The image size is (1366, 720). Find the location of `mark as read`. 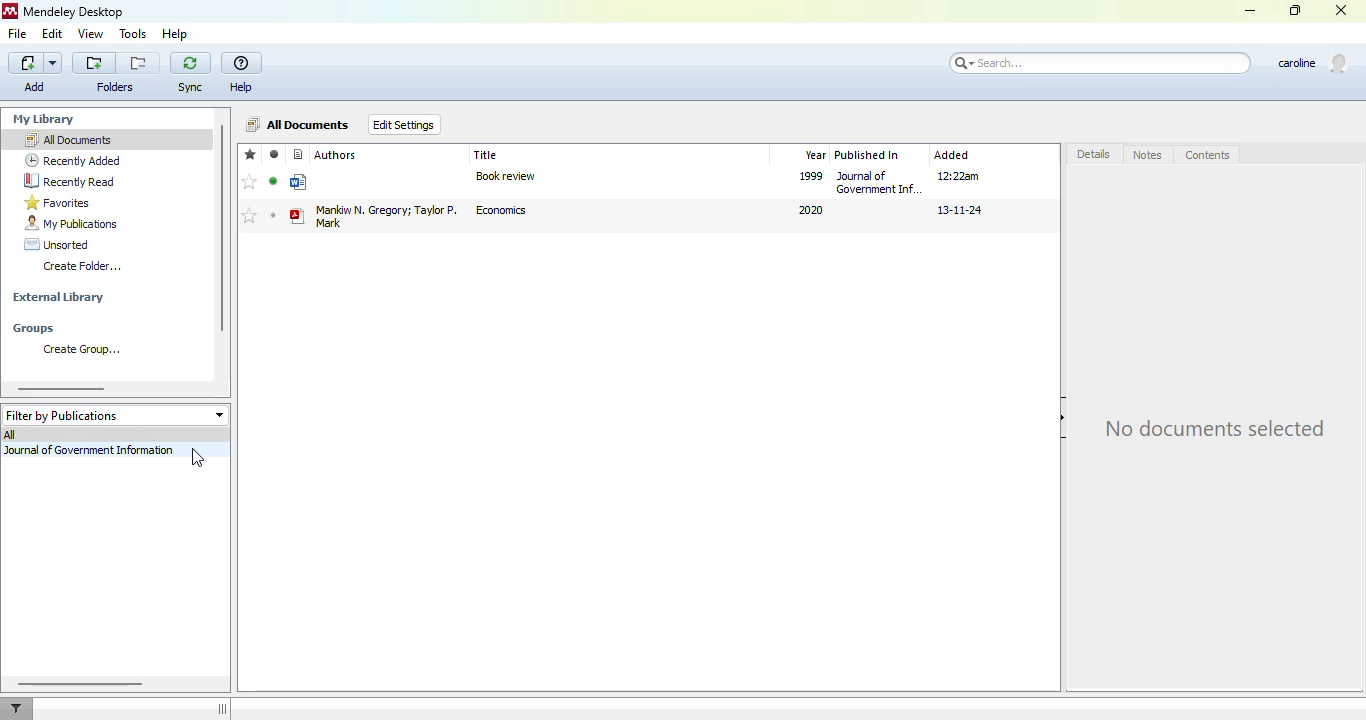

mark as read is located at coordinates (273, 181).